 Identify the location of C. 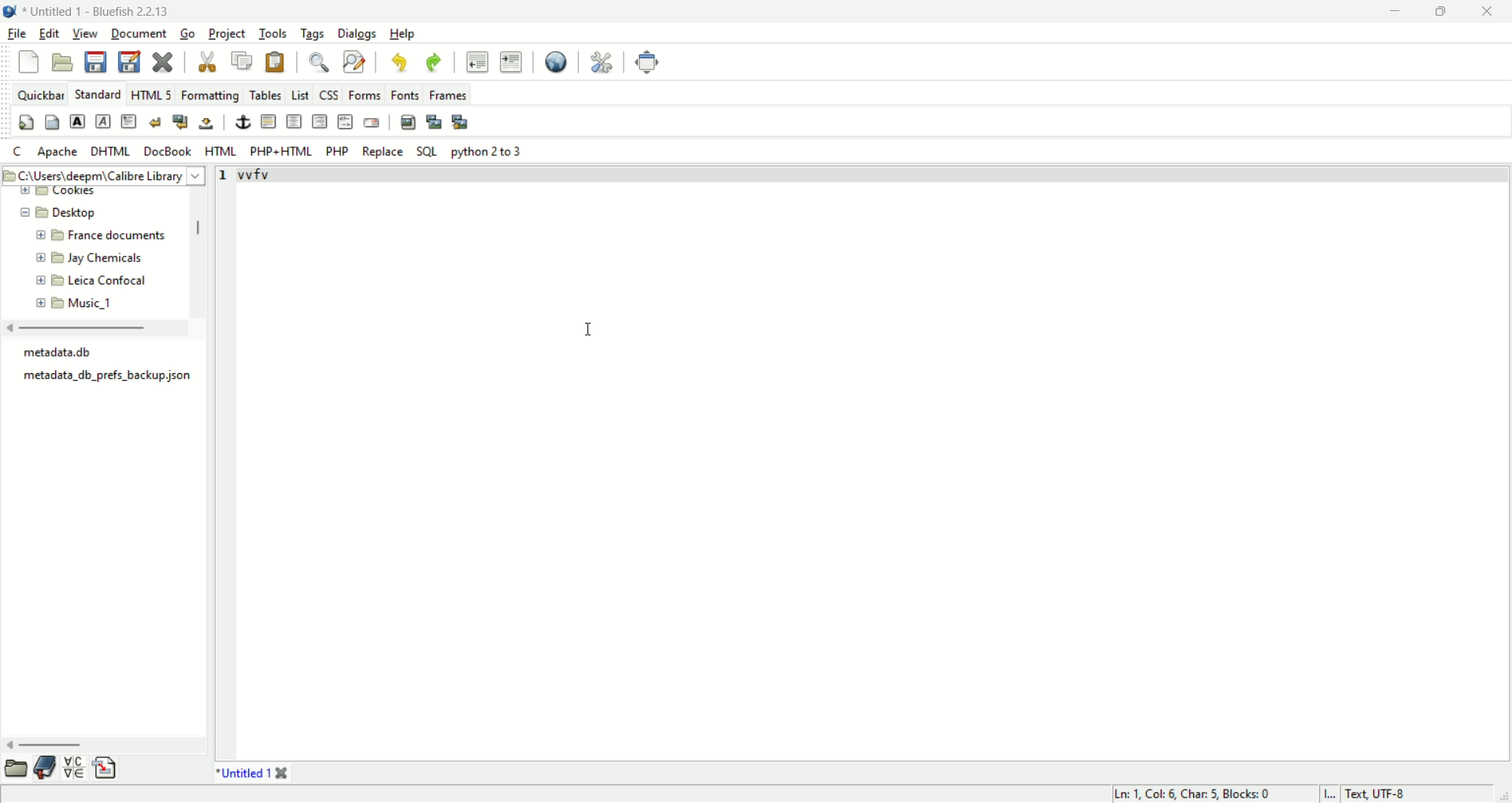
(19, 151).